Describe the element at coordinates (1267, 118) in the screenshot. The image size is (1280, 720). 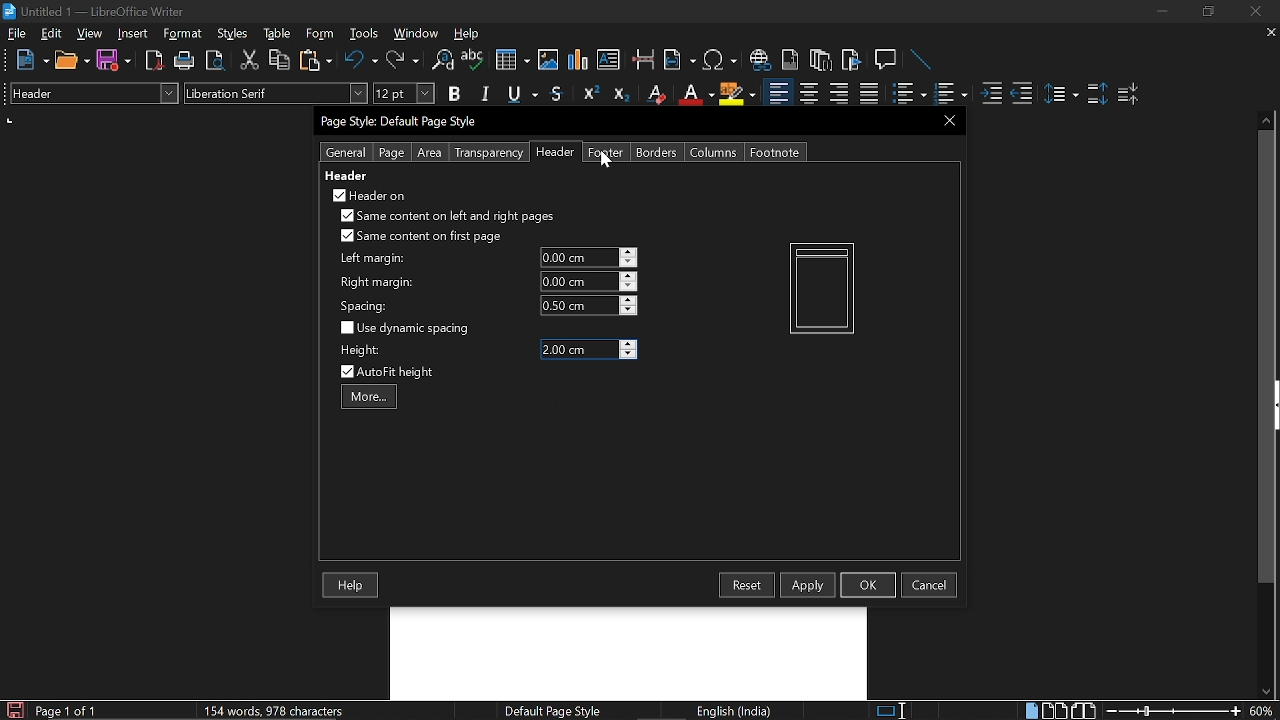
I see `Move up` at that location.